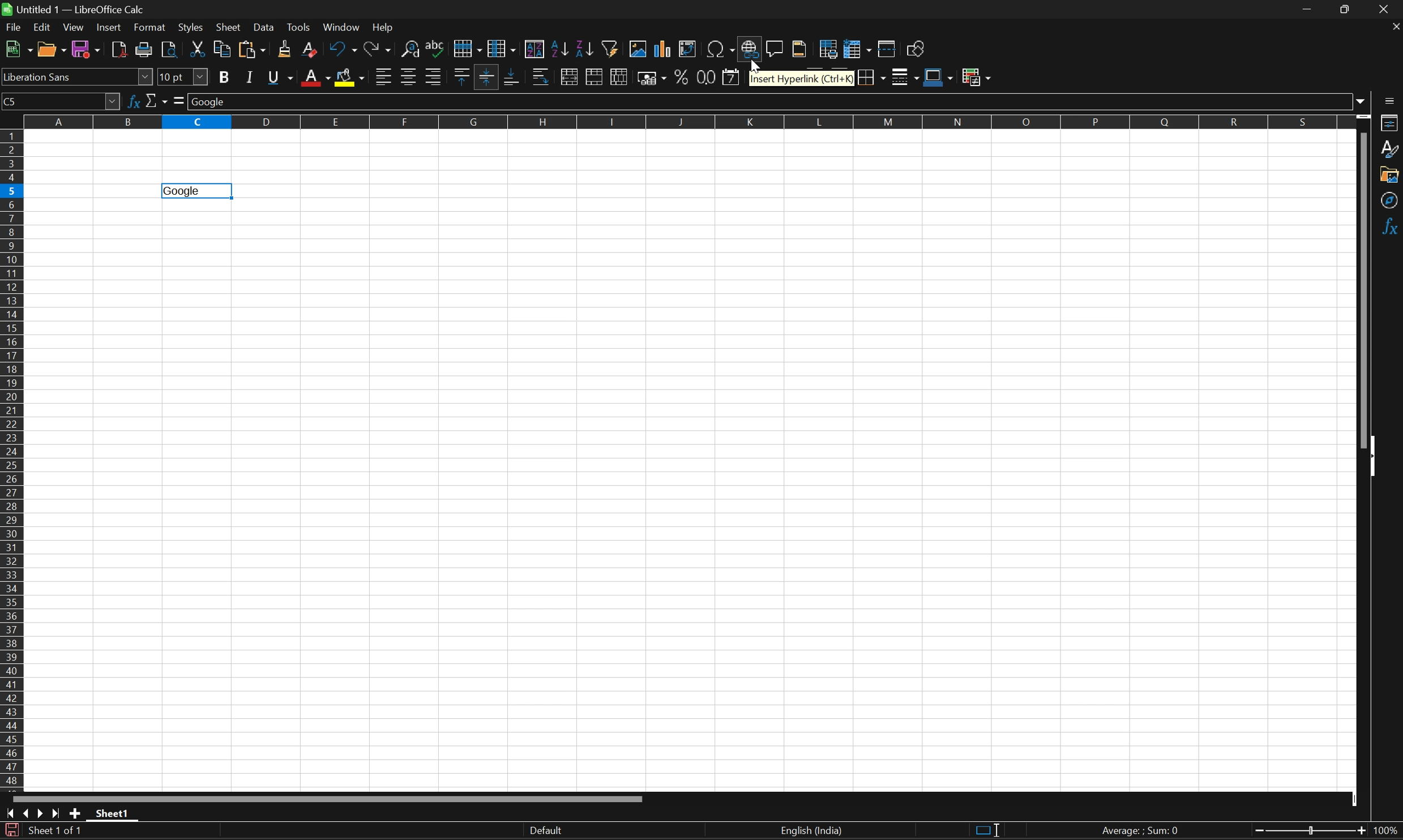  Describe the element at coordinates (266, 28) in the screenshot. I see `Data` at that location.